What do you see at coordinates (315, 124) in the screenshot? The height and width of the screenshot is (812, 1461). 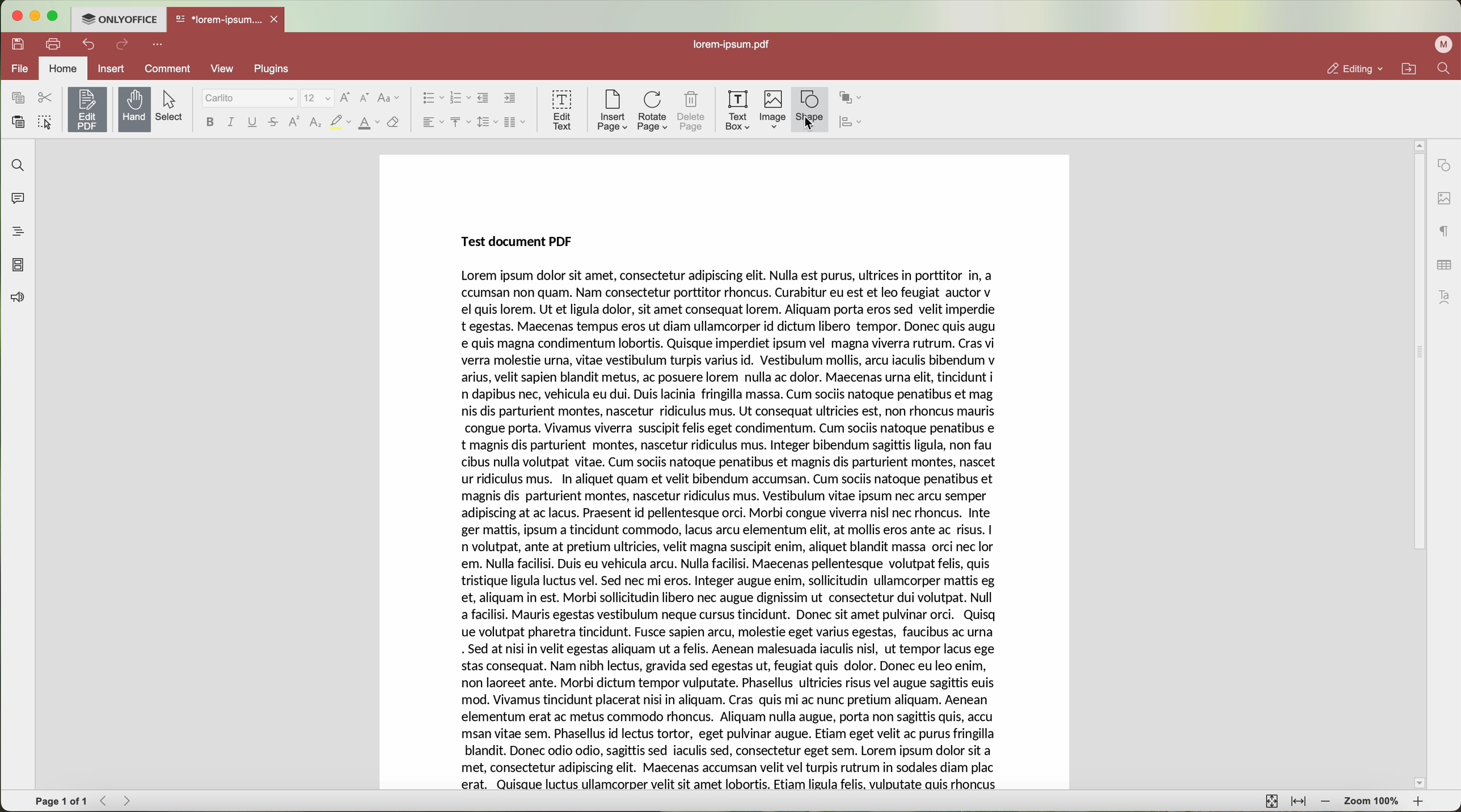 I see `subscript` at bounding box center [315, 124].